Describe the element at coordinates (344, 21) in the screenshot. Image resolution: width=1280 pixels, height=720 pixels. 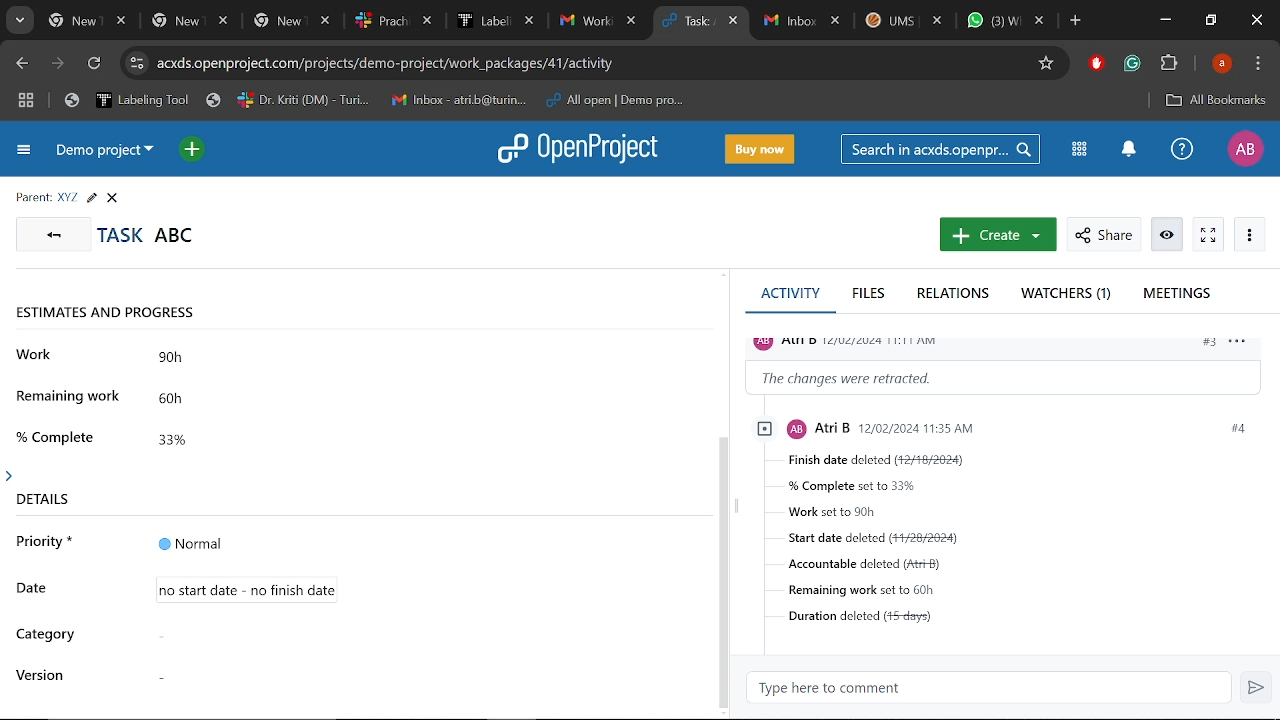
I see `Other tabs` at that location.